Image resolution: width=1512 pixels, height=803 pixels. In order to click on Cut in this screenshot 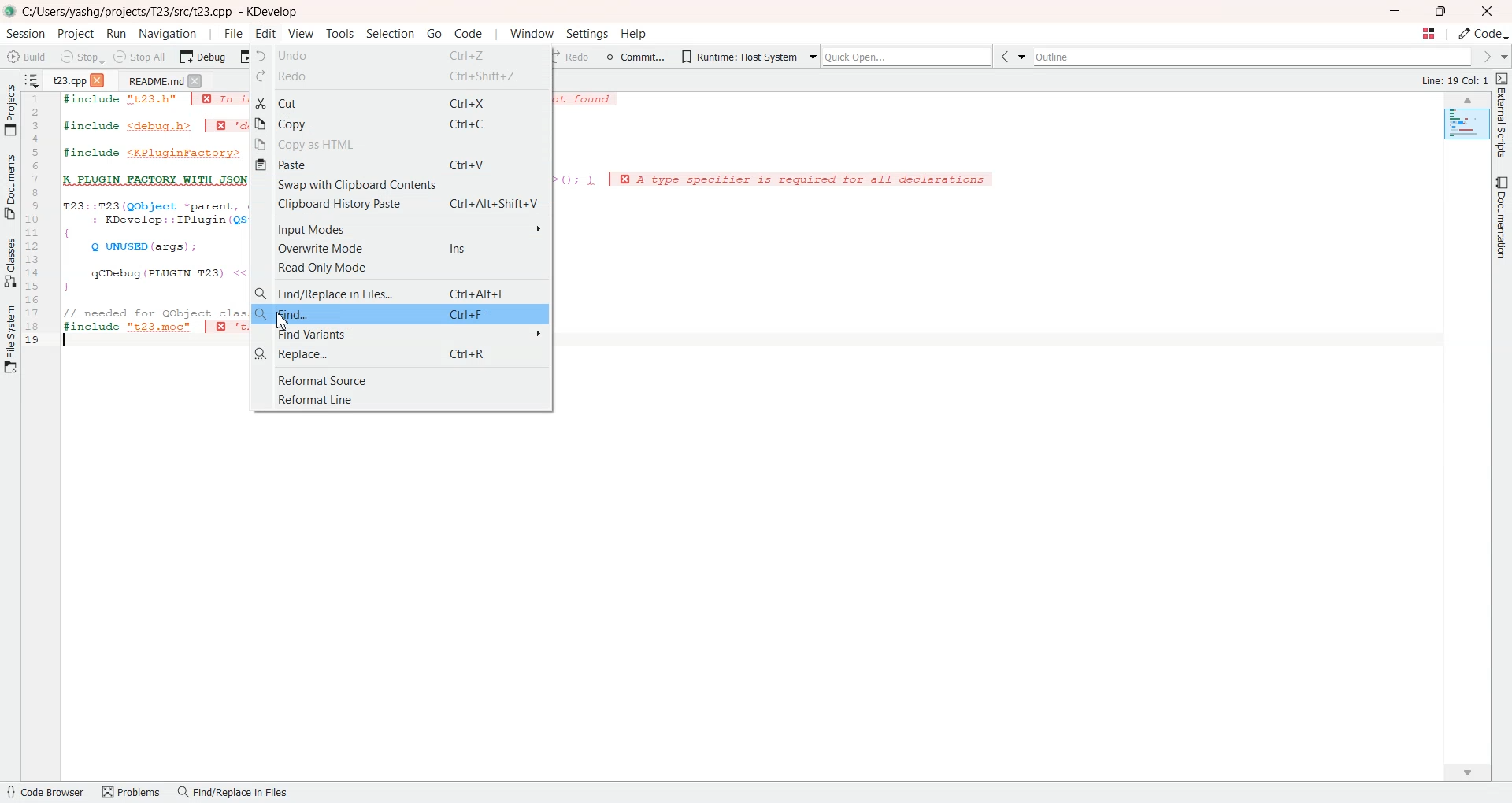, I will do `click(402, 102)`.